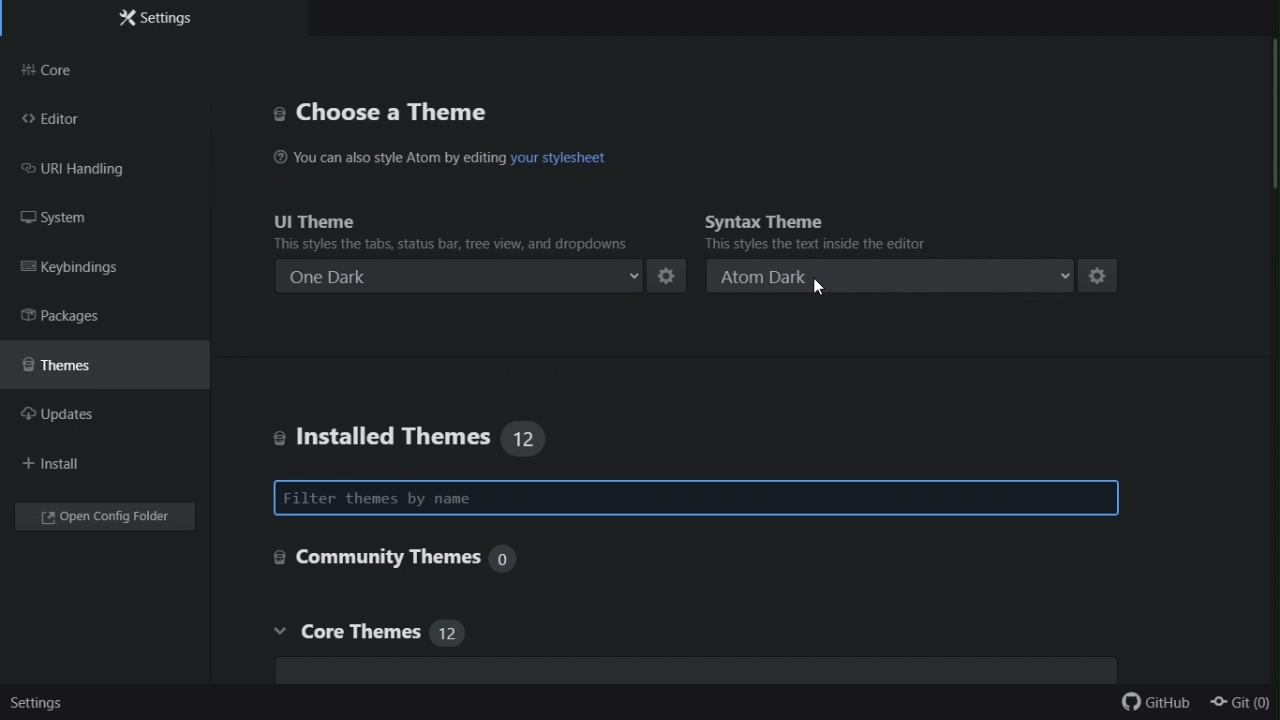 The width and height of the screenshot is (1280, 720). What do you see at coordinates (818, 281) in the screenshot?
I see `cursor` at bounding box center [818, 281].